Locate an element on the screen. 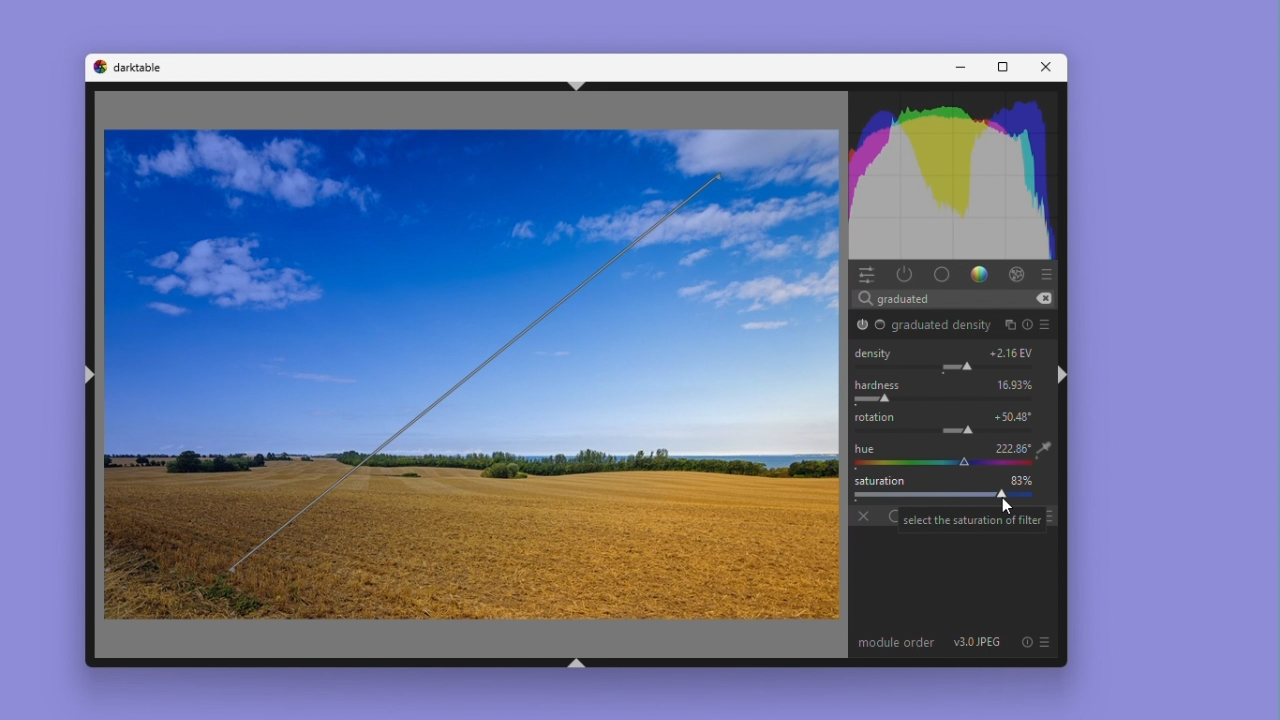 The width and height of the screenshot is (1280, 720). 222.86 degrees is located at coordinates (1010, 448).